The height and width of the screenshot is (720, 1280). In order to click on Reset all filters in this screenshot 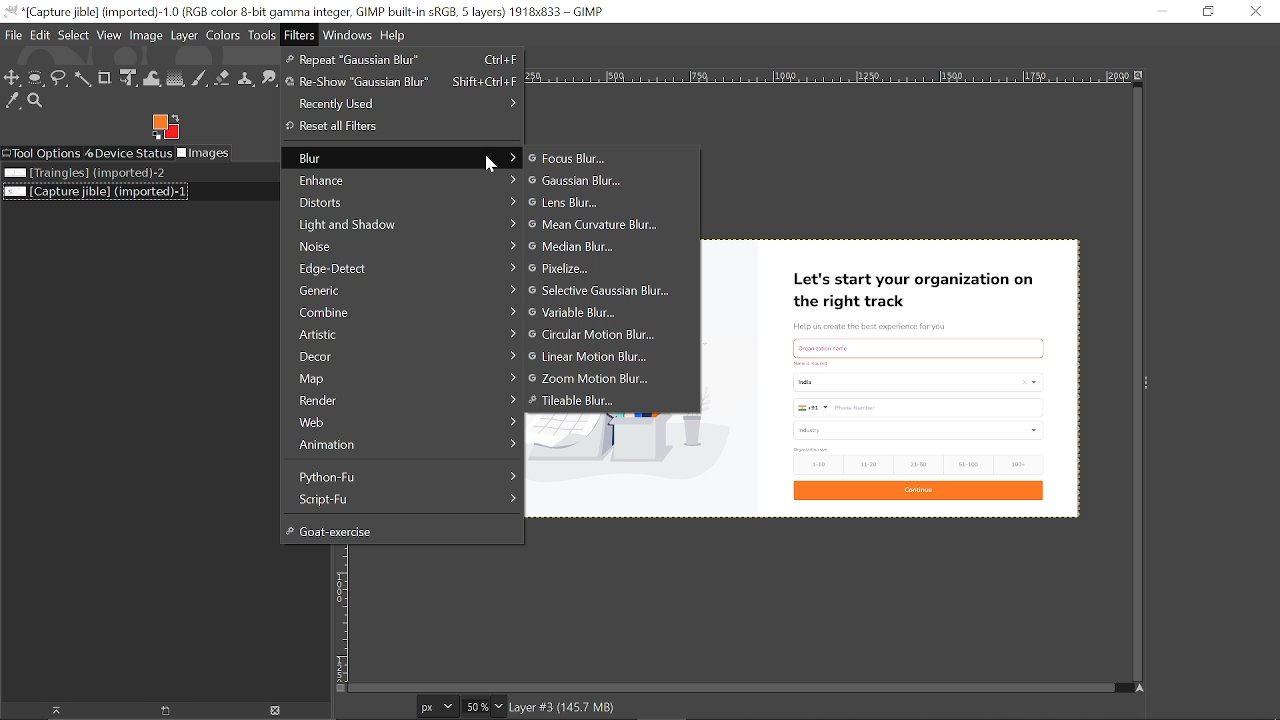, I will do `click(398, 126)`.